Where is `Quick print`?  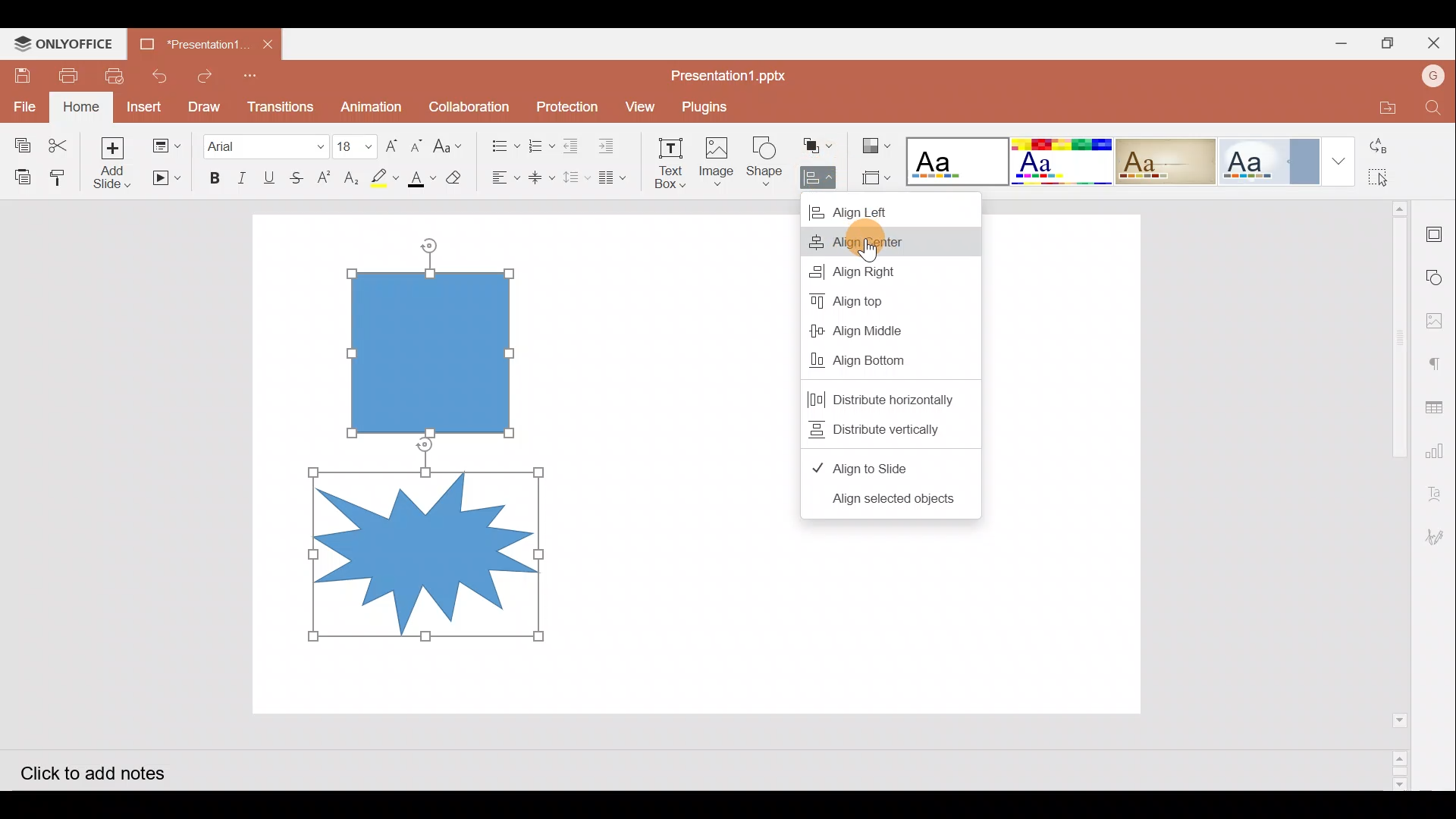
Quick print is located at coordinates (118, 73).